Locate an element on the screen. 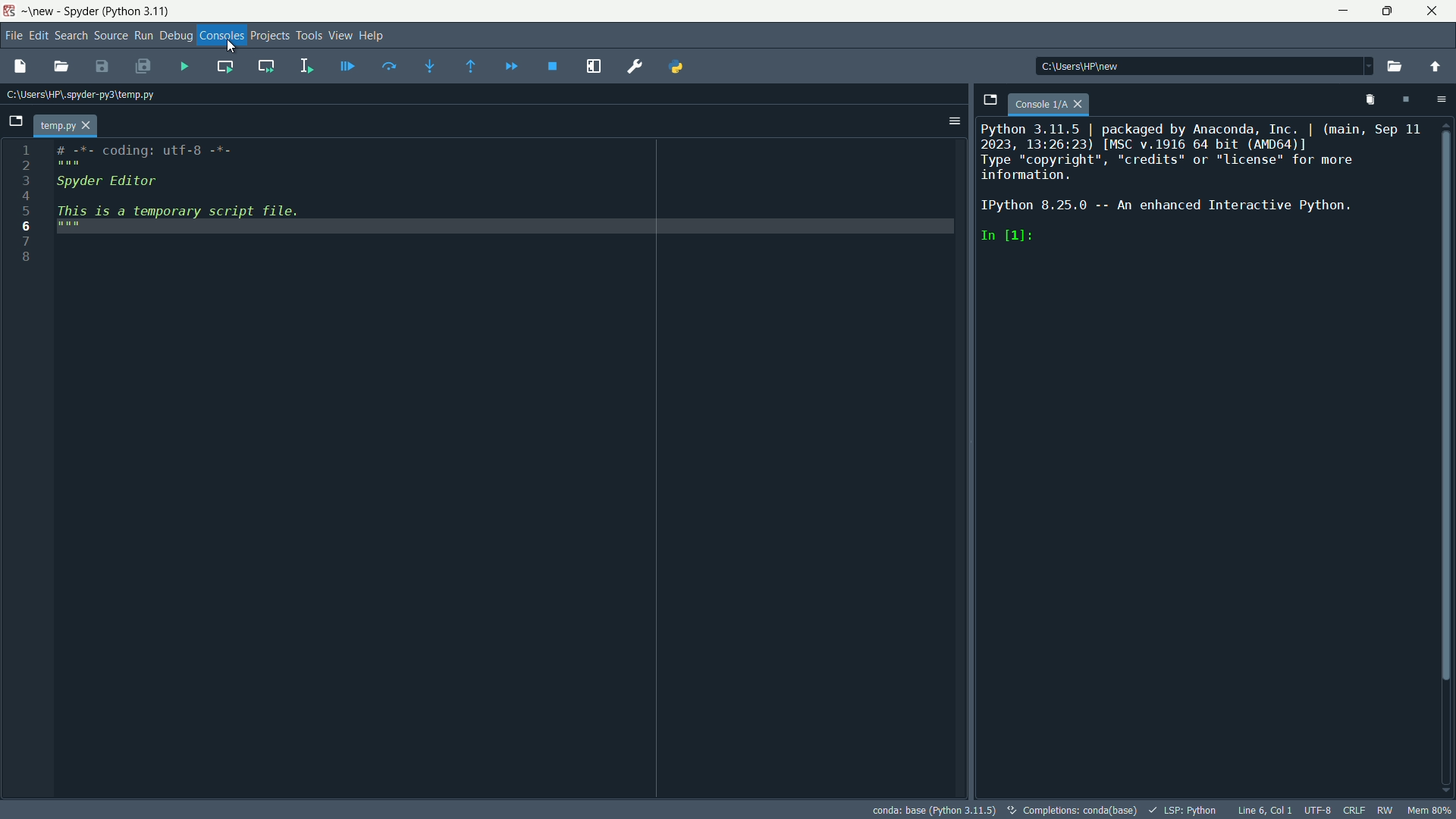  debug file is located at coordinates (347, 66).